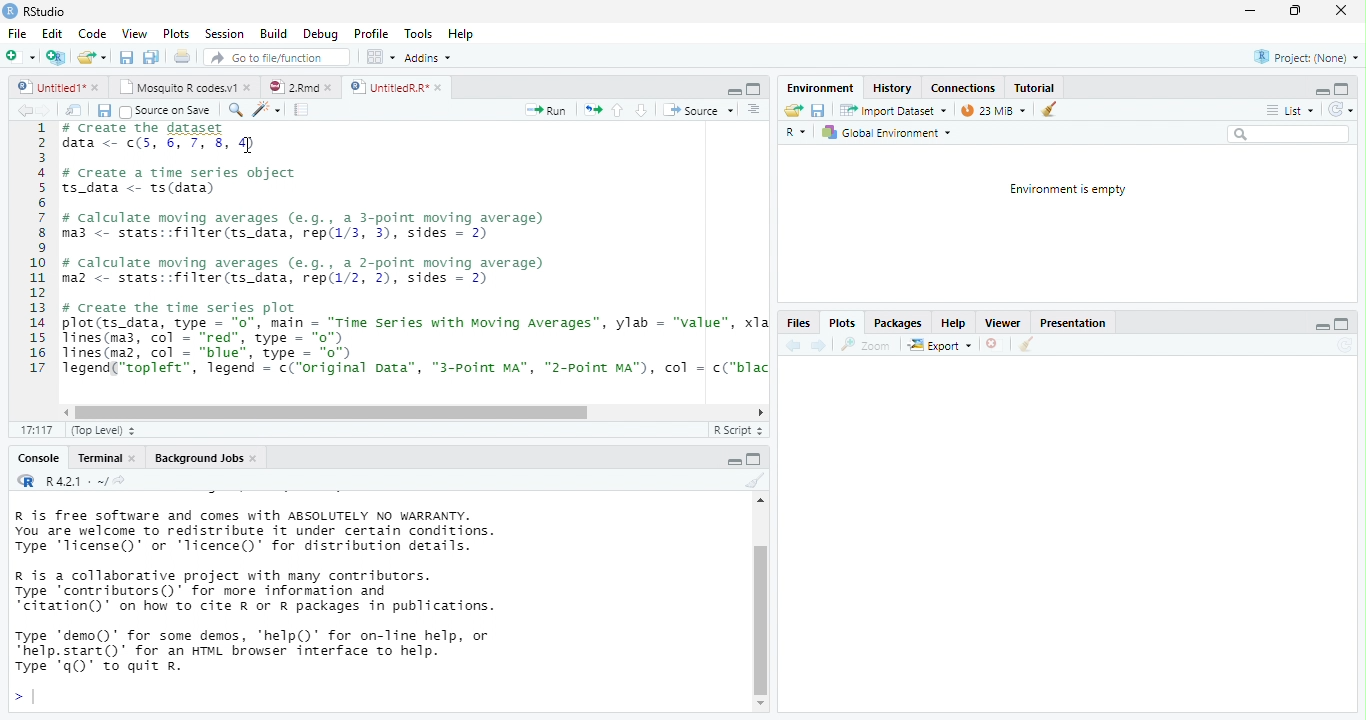 This screenshot has width=1366, height=720. I want to click on close, so click(97, 88).